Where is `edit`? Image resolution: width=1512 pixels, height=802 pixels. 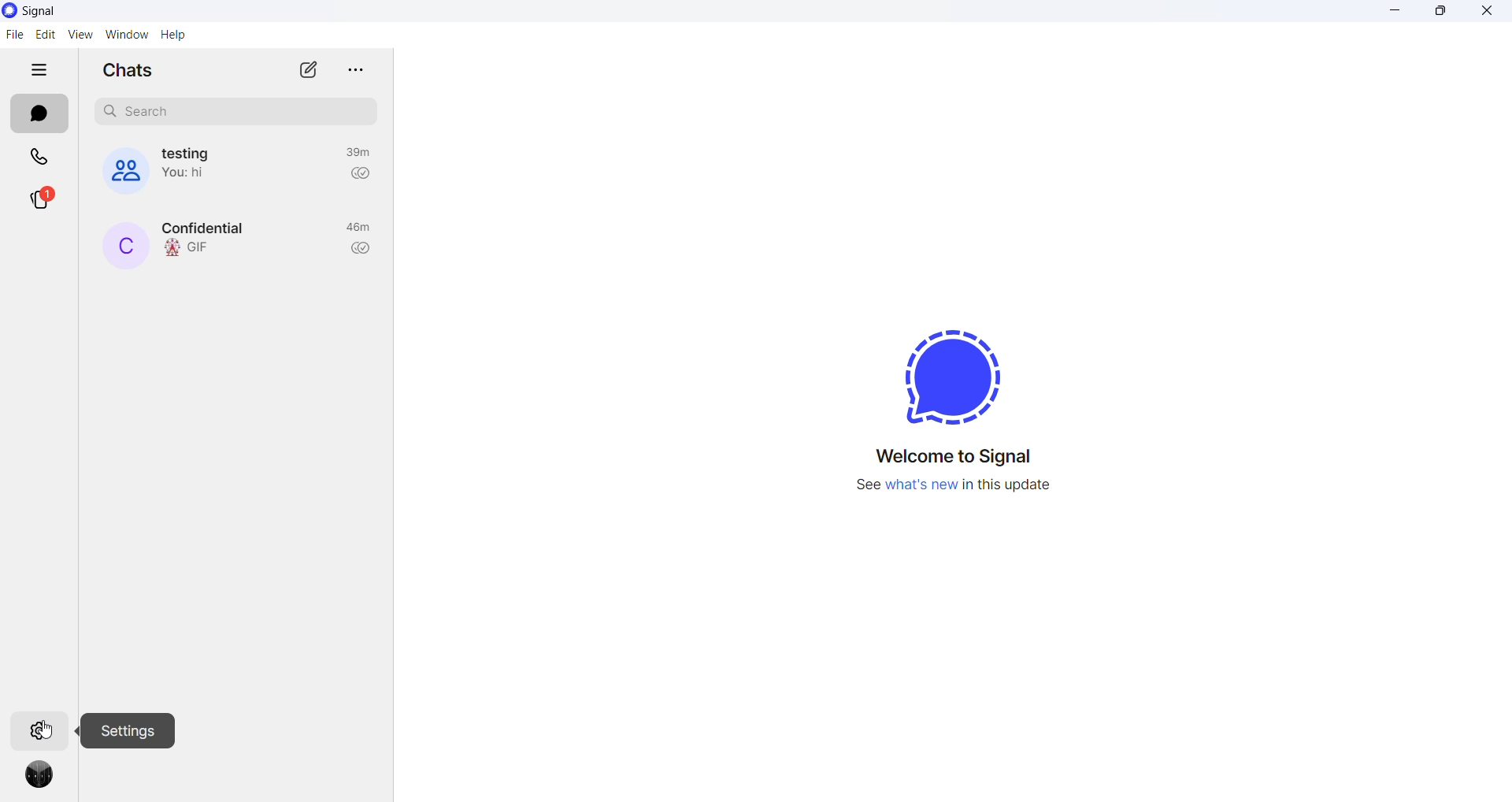
edit is located at coordinates (45, 35).